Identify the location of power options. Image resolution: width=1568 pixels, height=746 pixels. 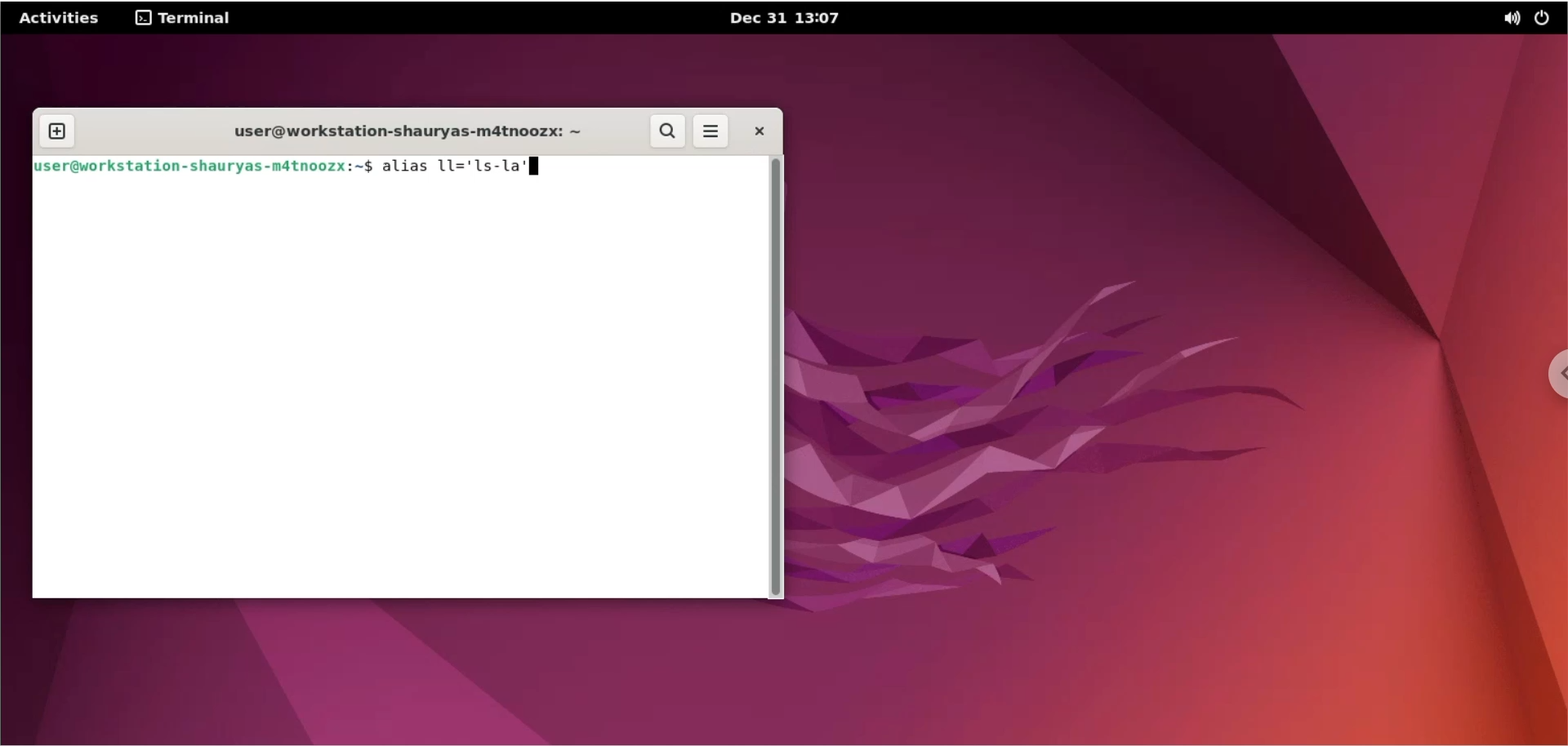
(1548, 18).